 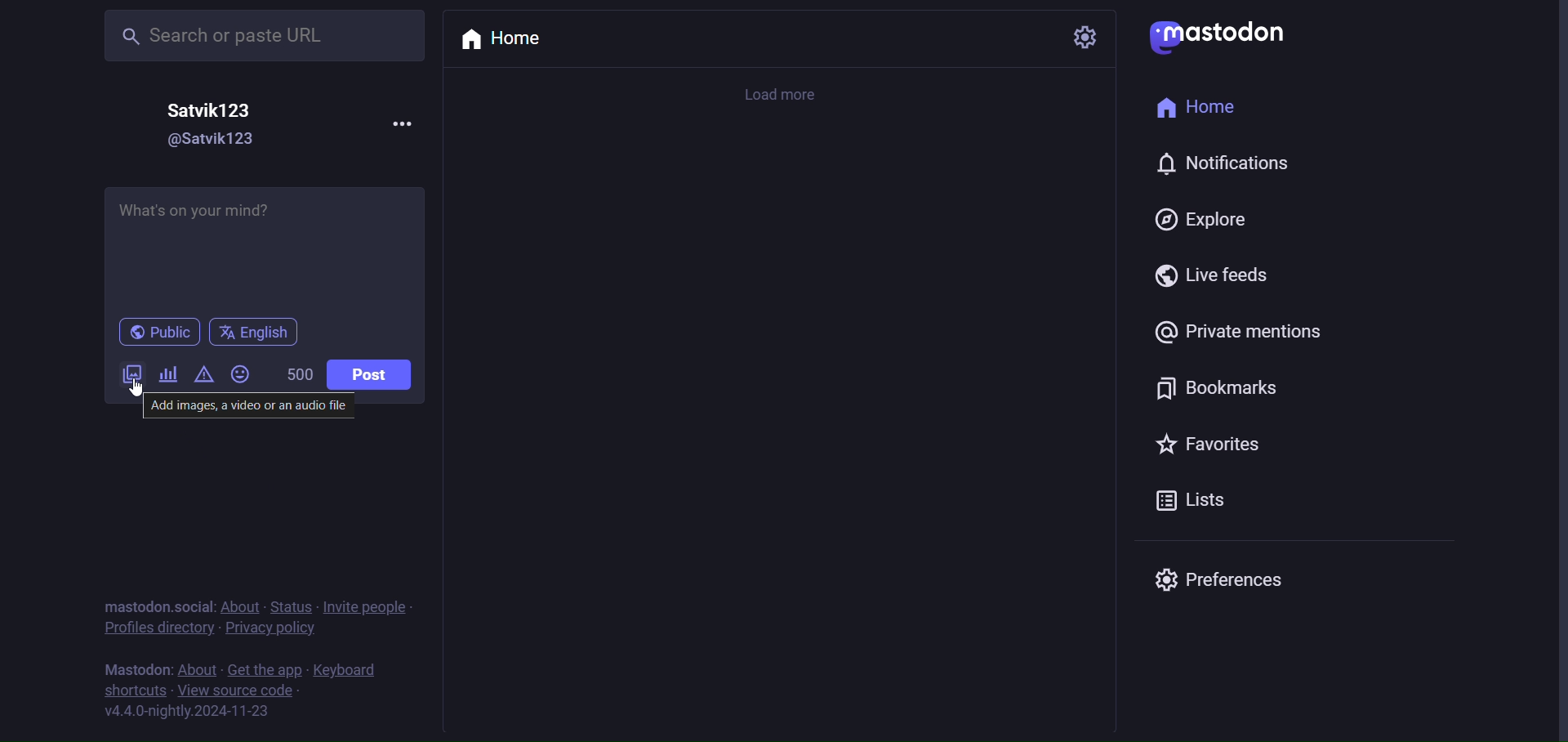 I want to click on invite people, so click(x=366, y=608).